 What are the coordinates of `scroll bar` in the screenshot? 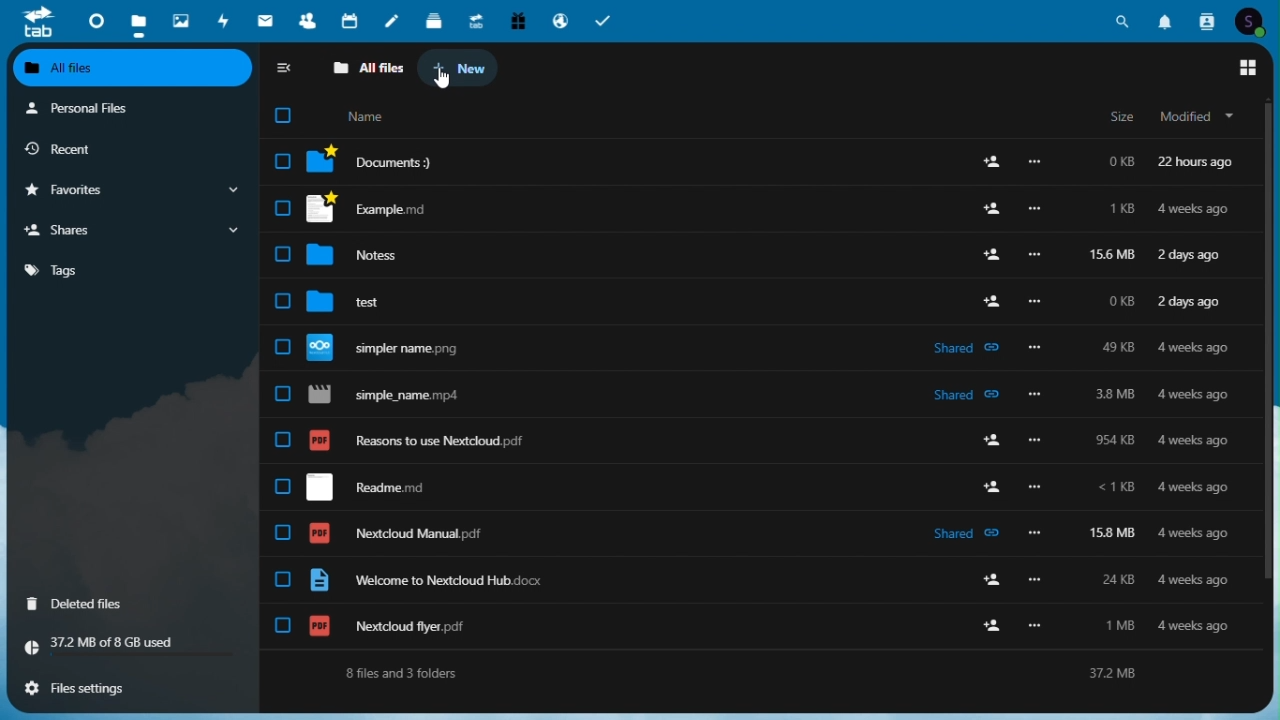 It's located at (1266, 345).